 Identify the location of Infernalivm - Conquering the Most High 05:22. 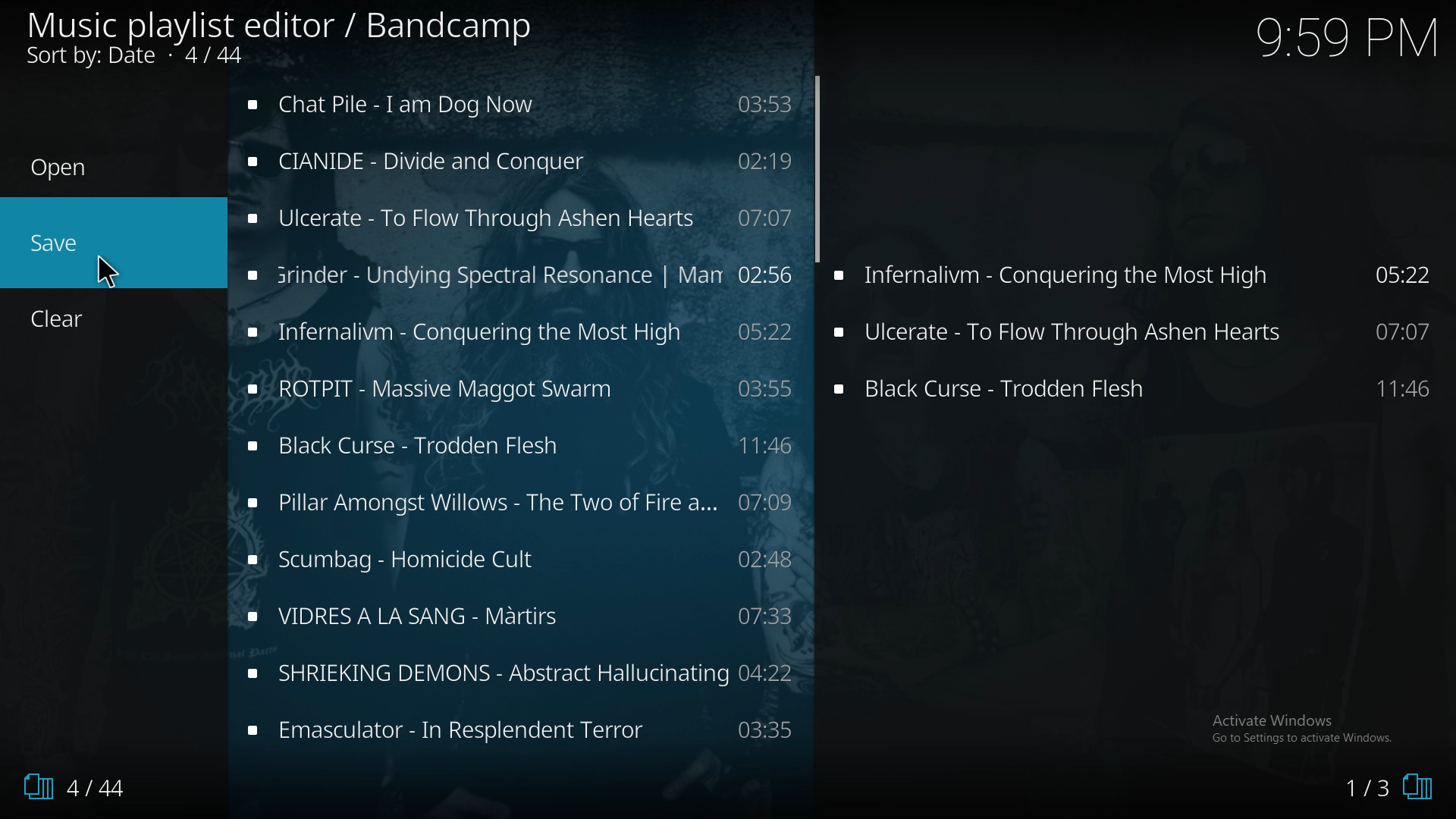
(1137, 334).